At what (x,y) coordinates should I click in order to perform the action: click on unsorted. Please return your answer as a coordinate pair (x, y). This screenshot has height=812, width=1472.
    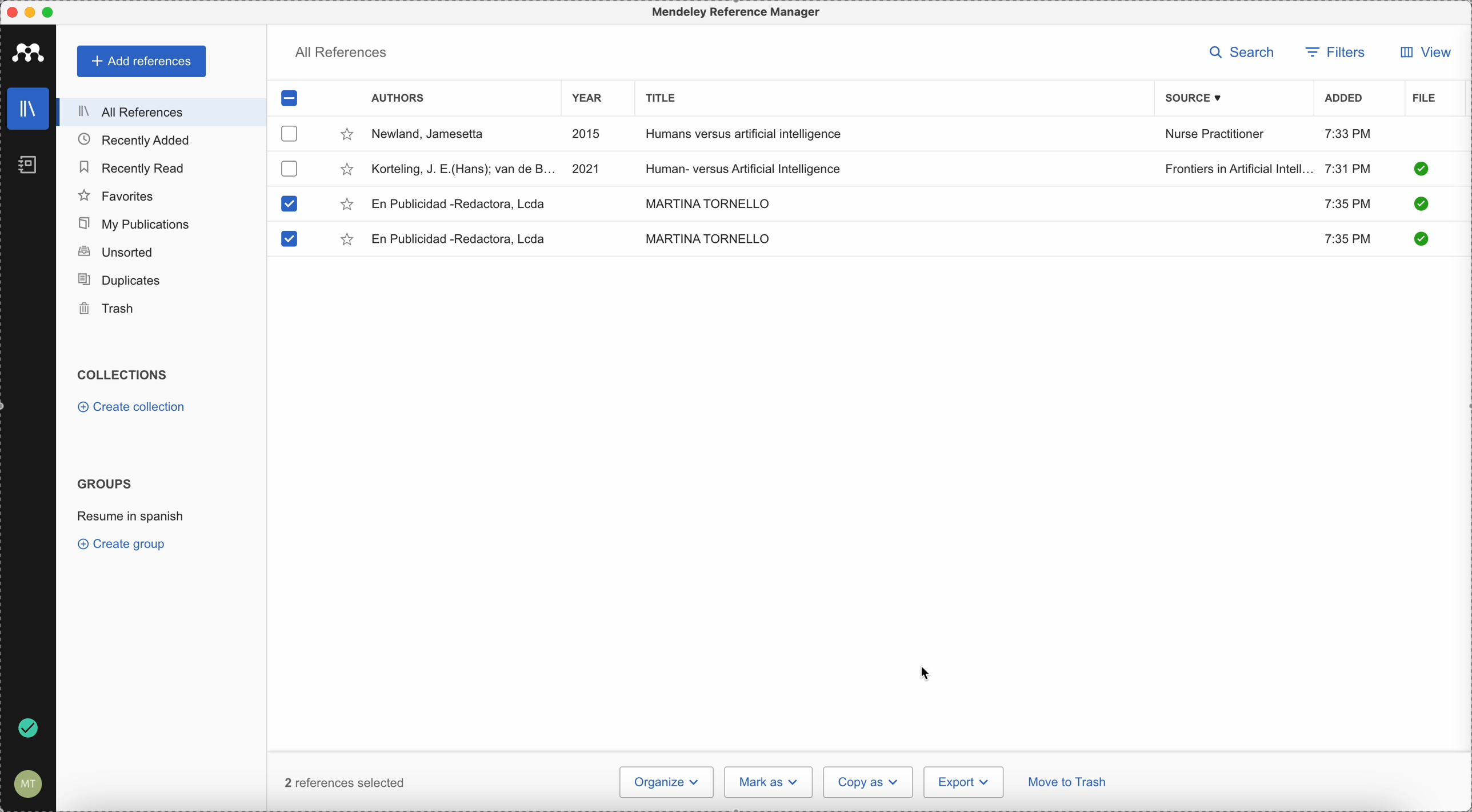
    Looking at the image, I should click on (115, 251).